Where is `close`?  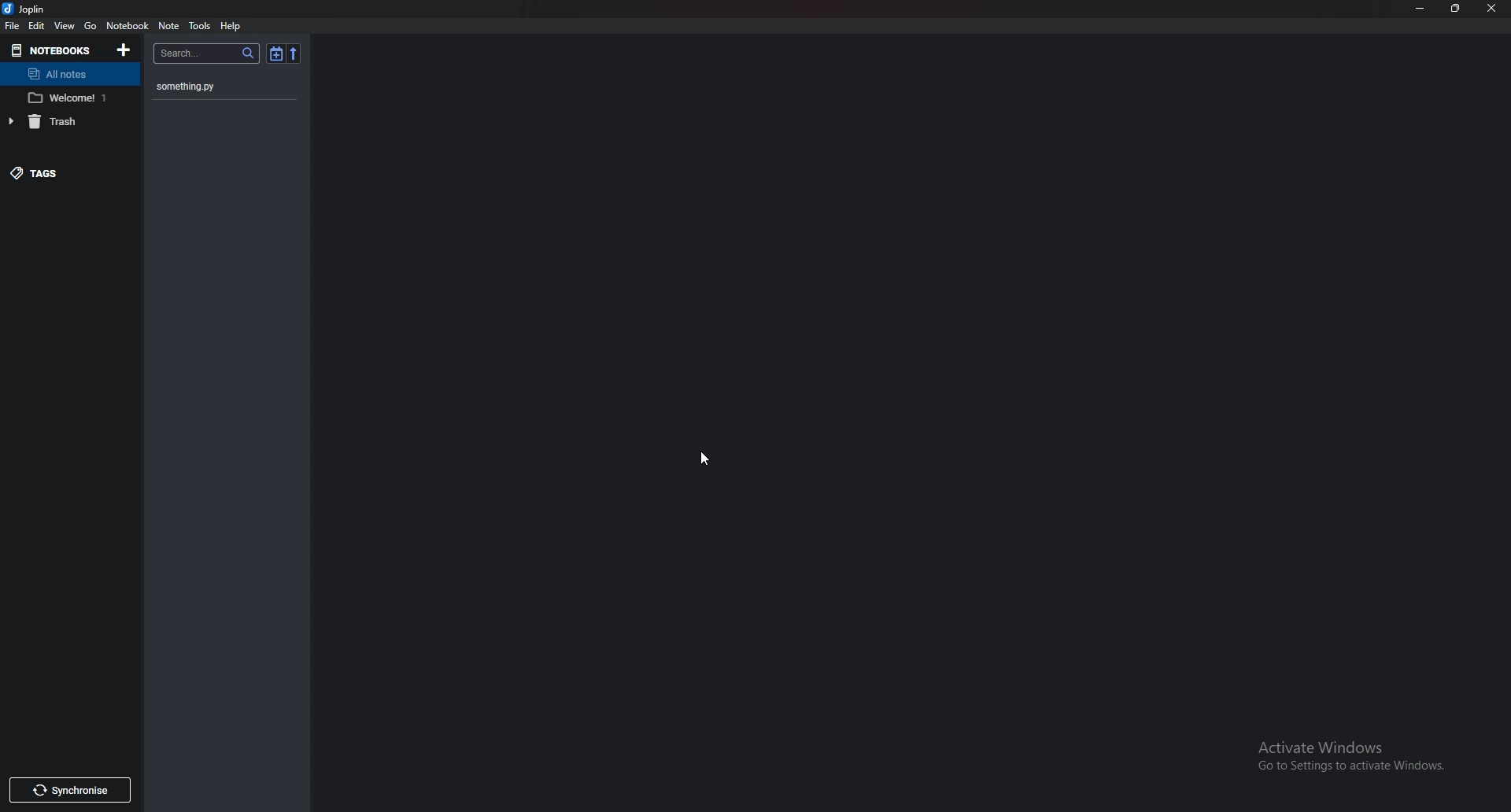
close is located at coordinates (1493, 8).